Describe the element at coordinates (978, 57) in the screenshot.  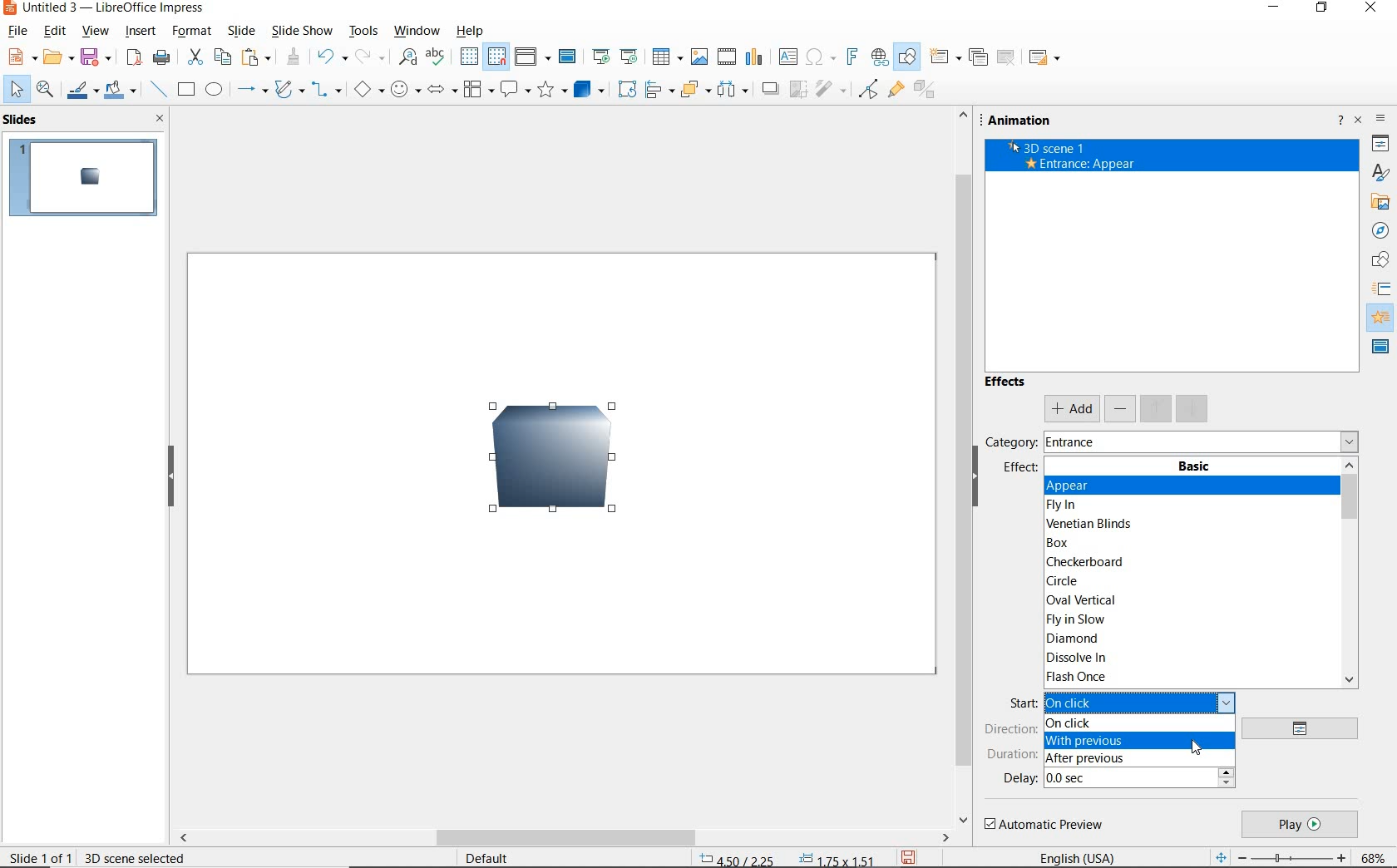
I see `duplicate slide` at that location.